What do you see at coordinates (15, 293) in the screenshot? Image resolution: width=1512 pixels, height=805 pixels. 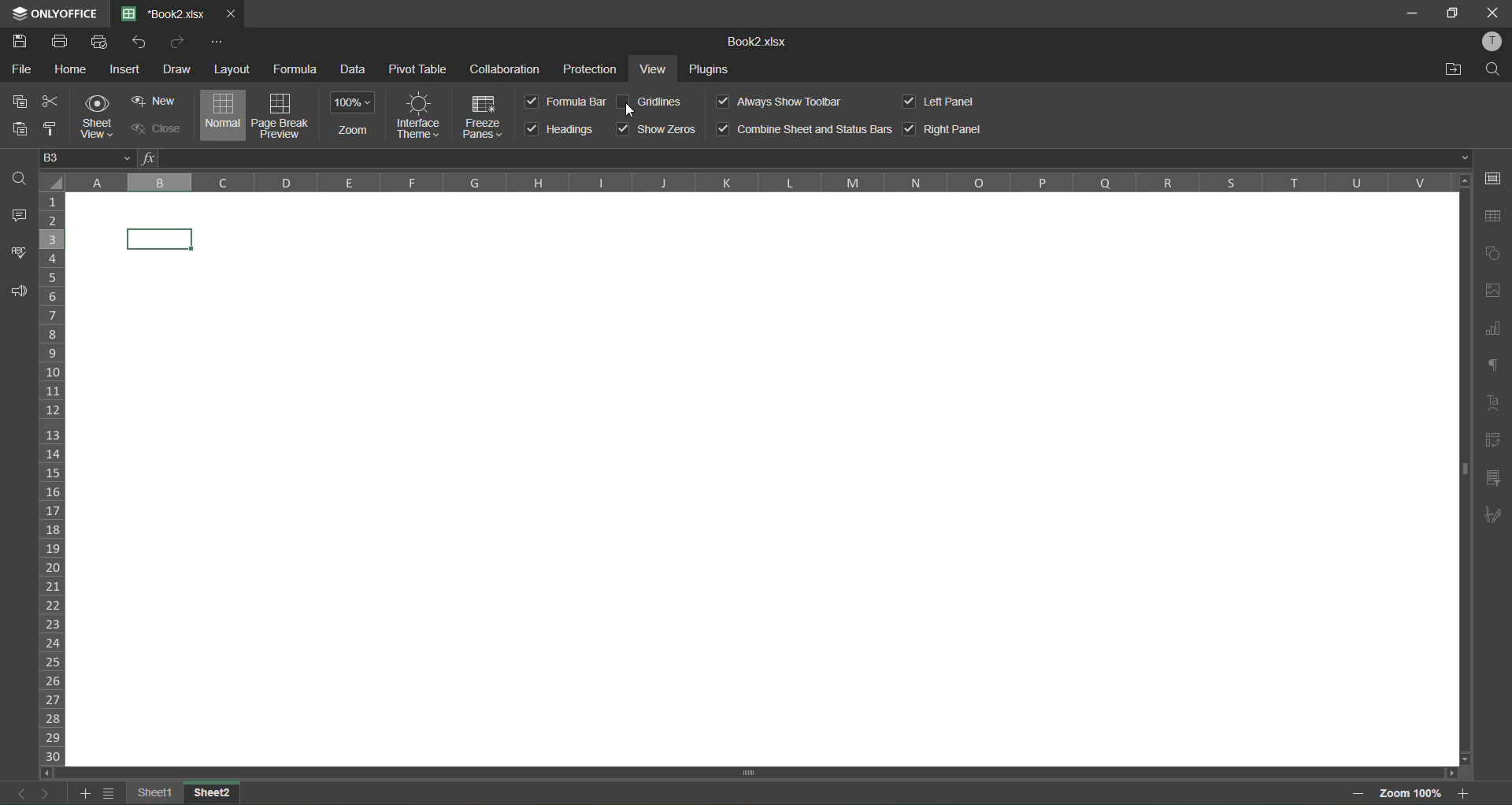 I see `feedback` at bounding box center [15, 293].